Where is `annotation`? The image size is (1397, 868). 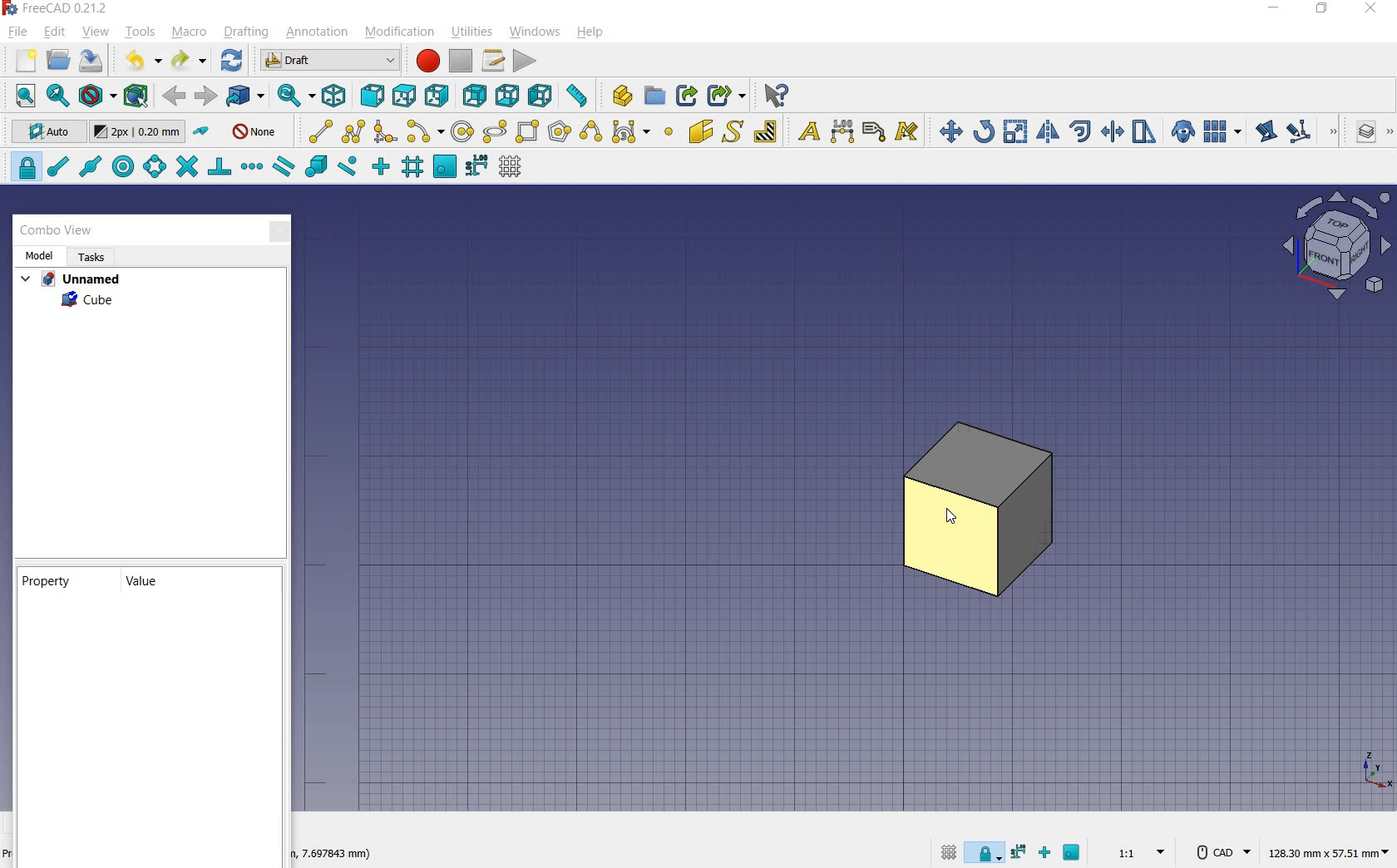 annotation is located at coordinates (319, 32).